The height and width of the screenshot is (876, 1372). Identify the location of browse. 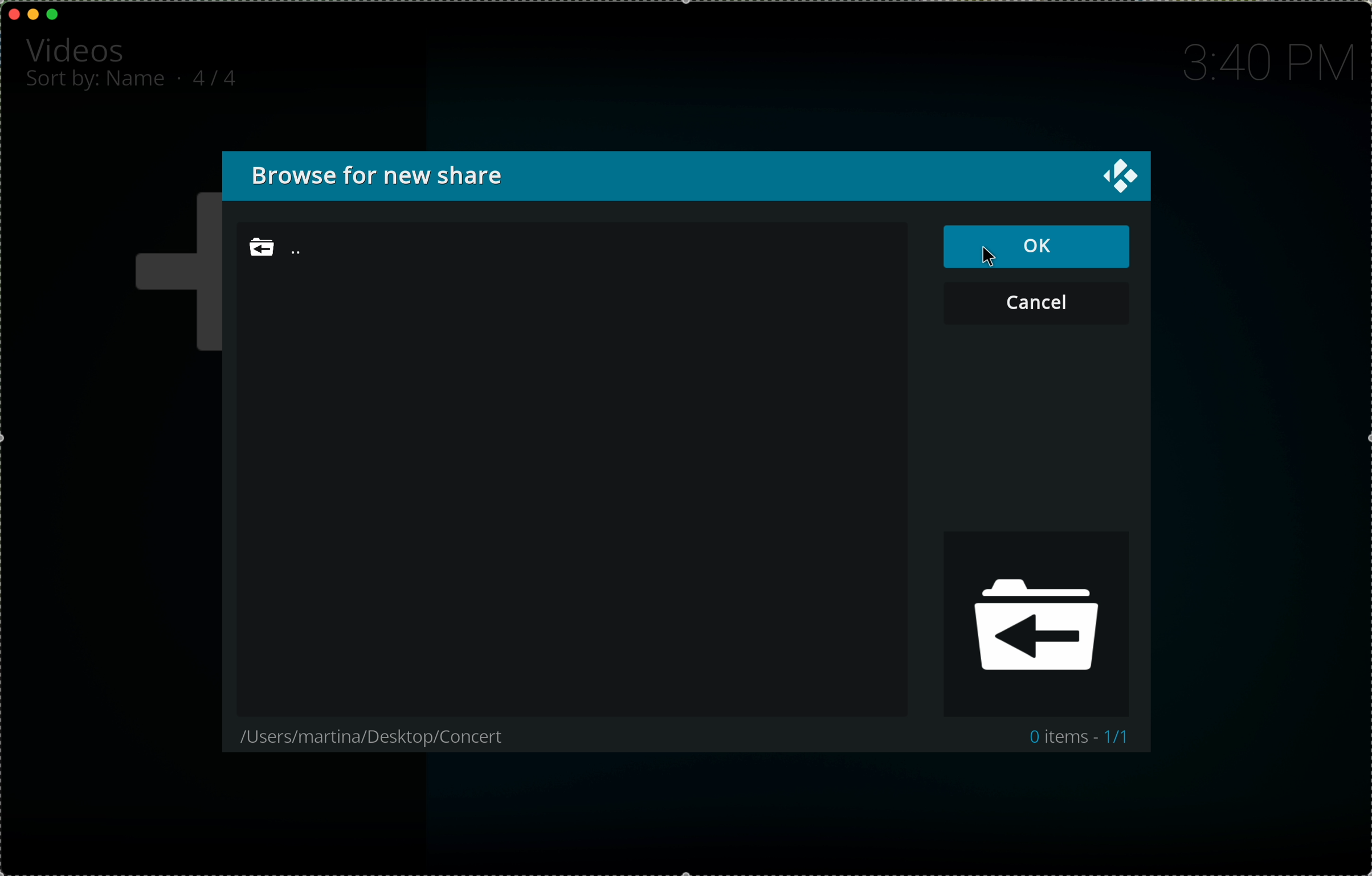
(398, 175).